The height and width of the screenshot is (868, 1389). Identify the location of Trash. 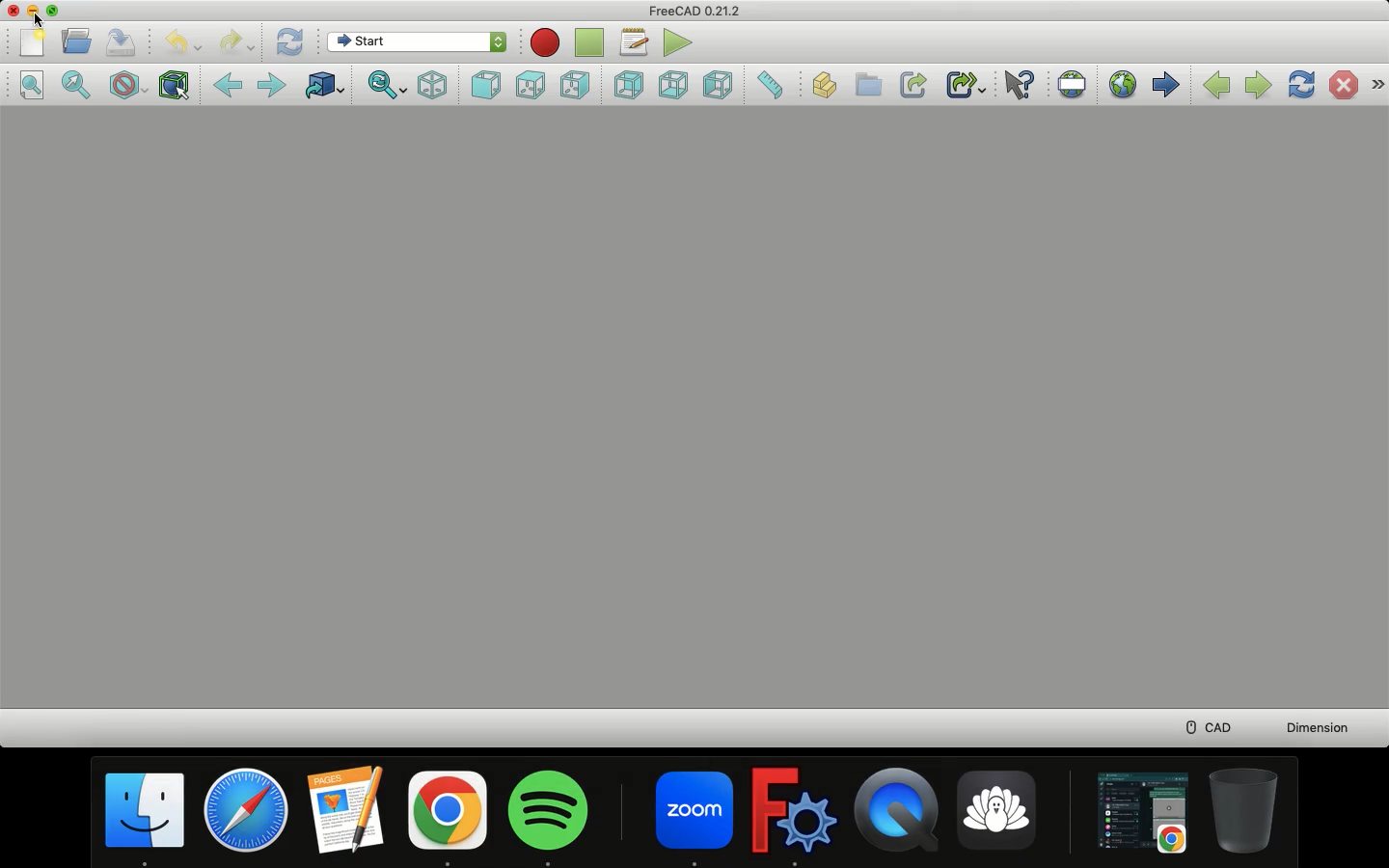
(1247, 812).